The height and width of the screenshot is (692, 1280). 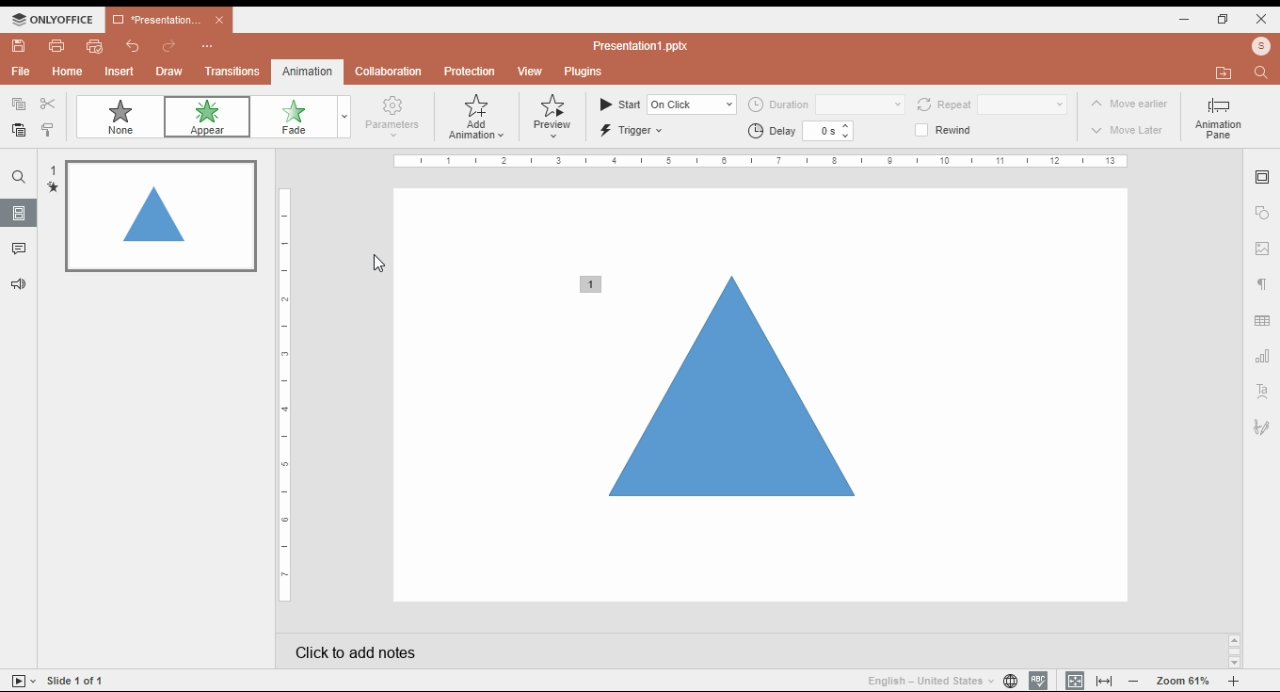 What do you see at coordinates (20, 46) in the screenshot?
I see `save` at bounding box center [20, 46].